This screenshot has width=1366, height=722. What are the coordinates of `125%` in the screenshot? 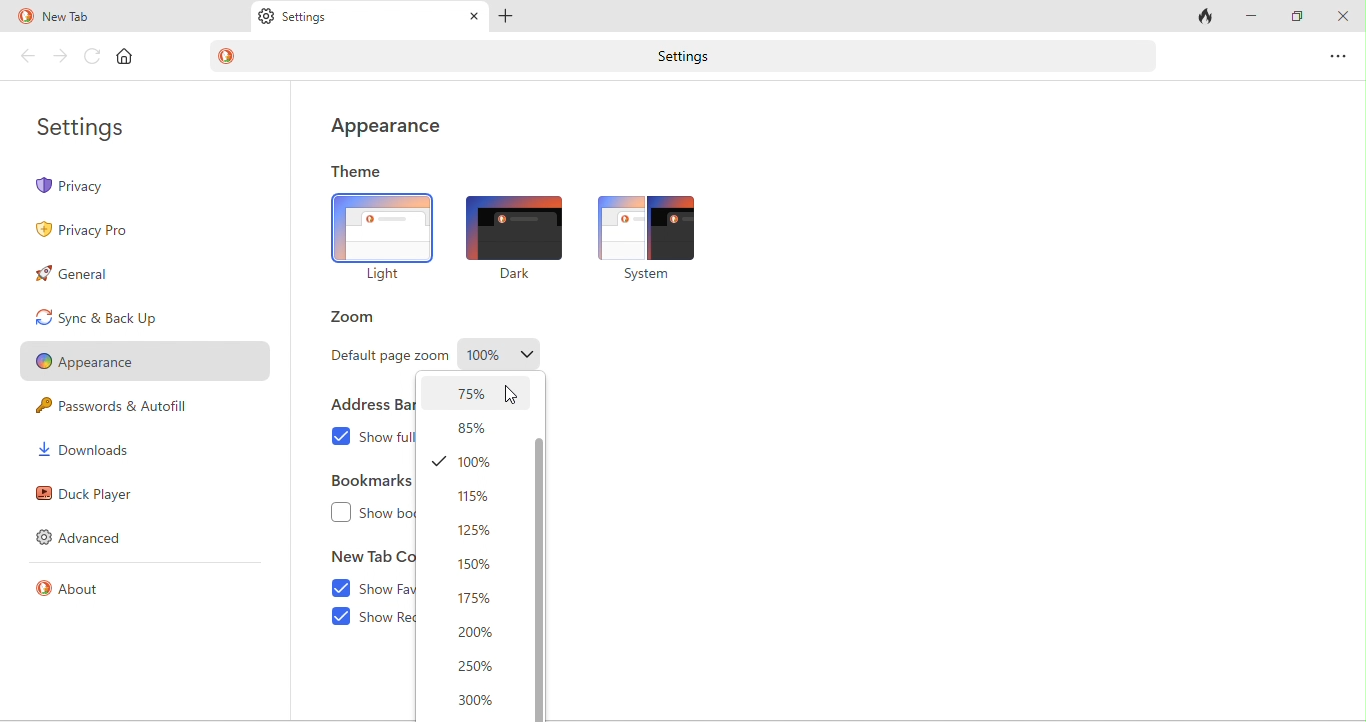 It's located at (471, 529).